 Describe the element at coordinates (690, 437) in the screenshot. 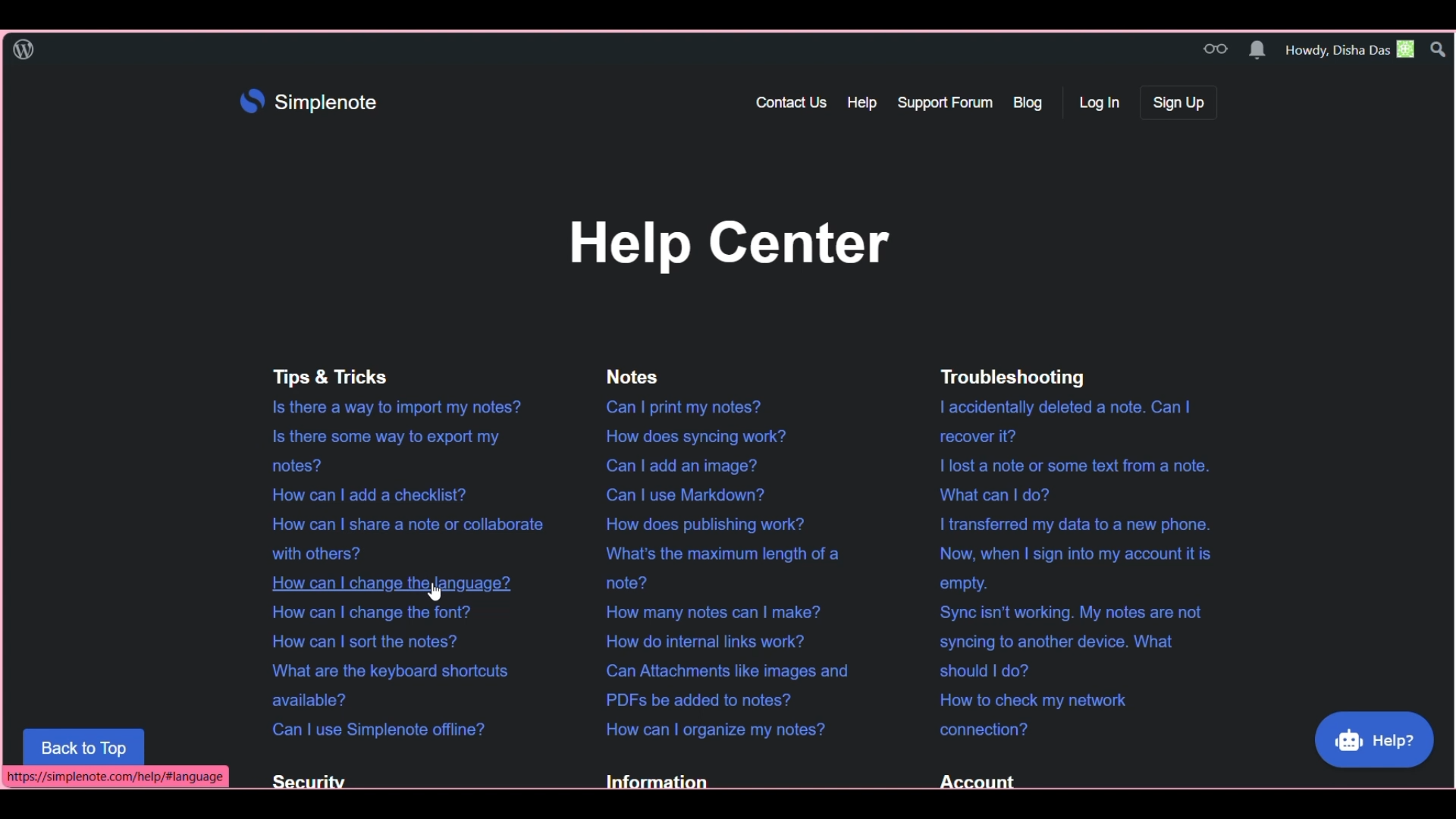

I see `How does syncing work?` at that location.